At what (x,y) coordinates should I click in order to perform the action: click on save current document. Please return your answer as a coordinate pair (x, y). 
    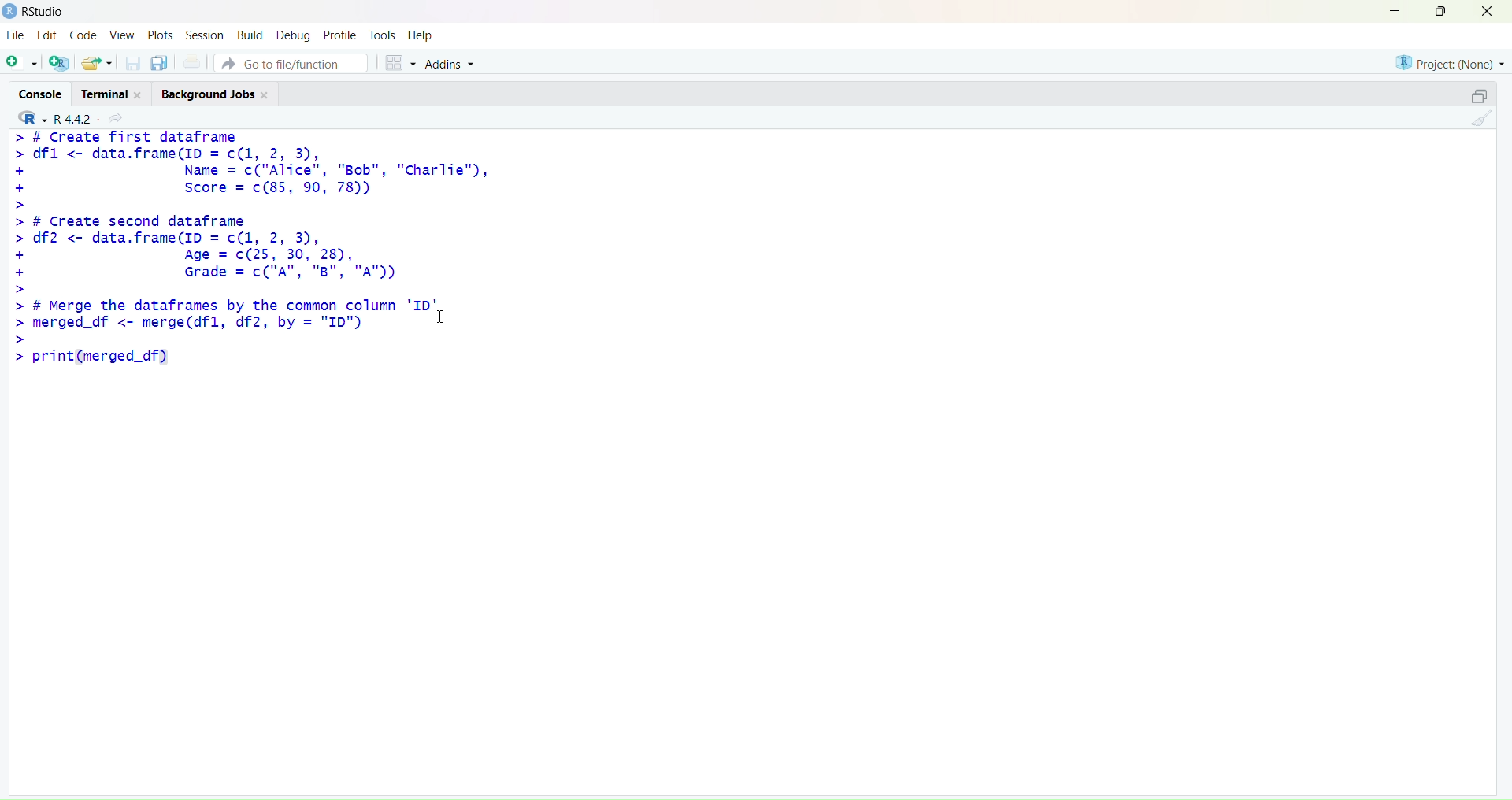
    Looking at the image, I should click on (133, 64).